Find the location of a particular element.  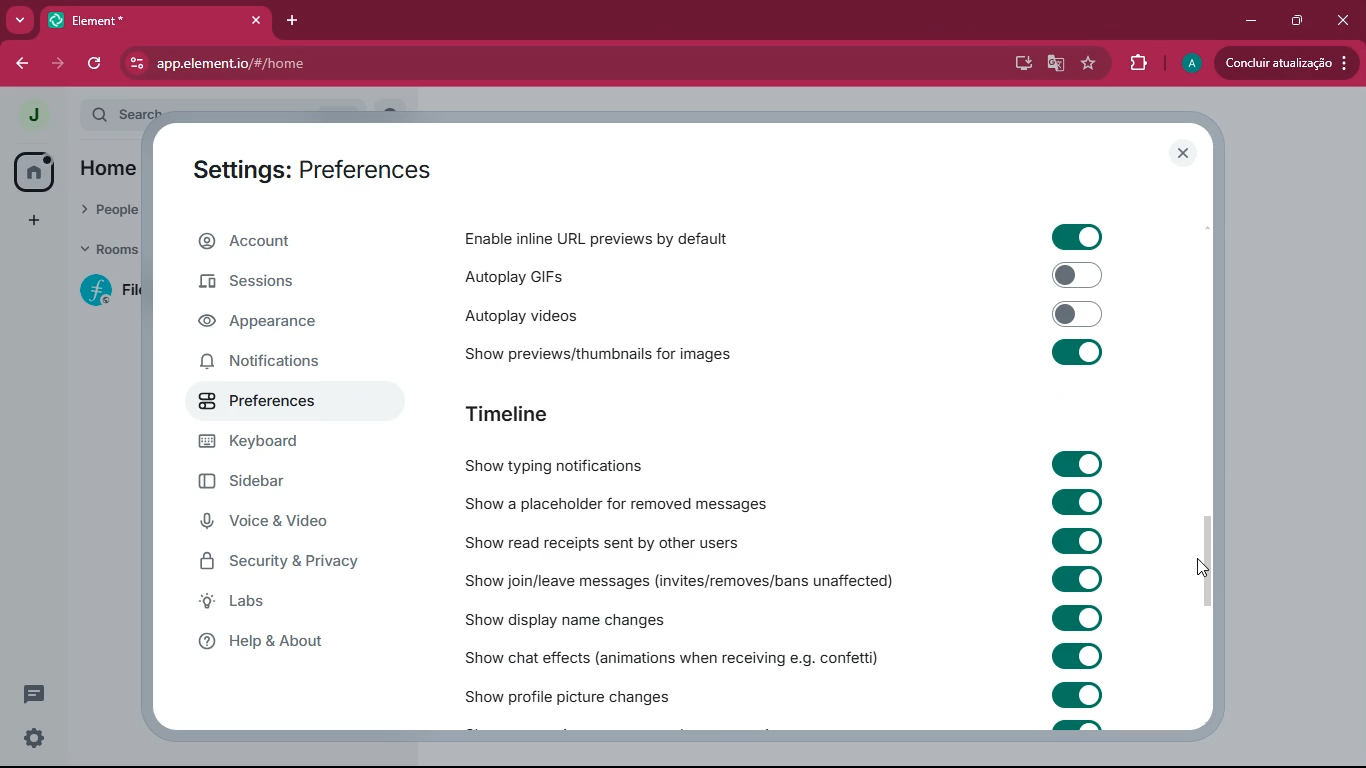

back is located at coordinates (23, 64).